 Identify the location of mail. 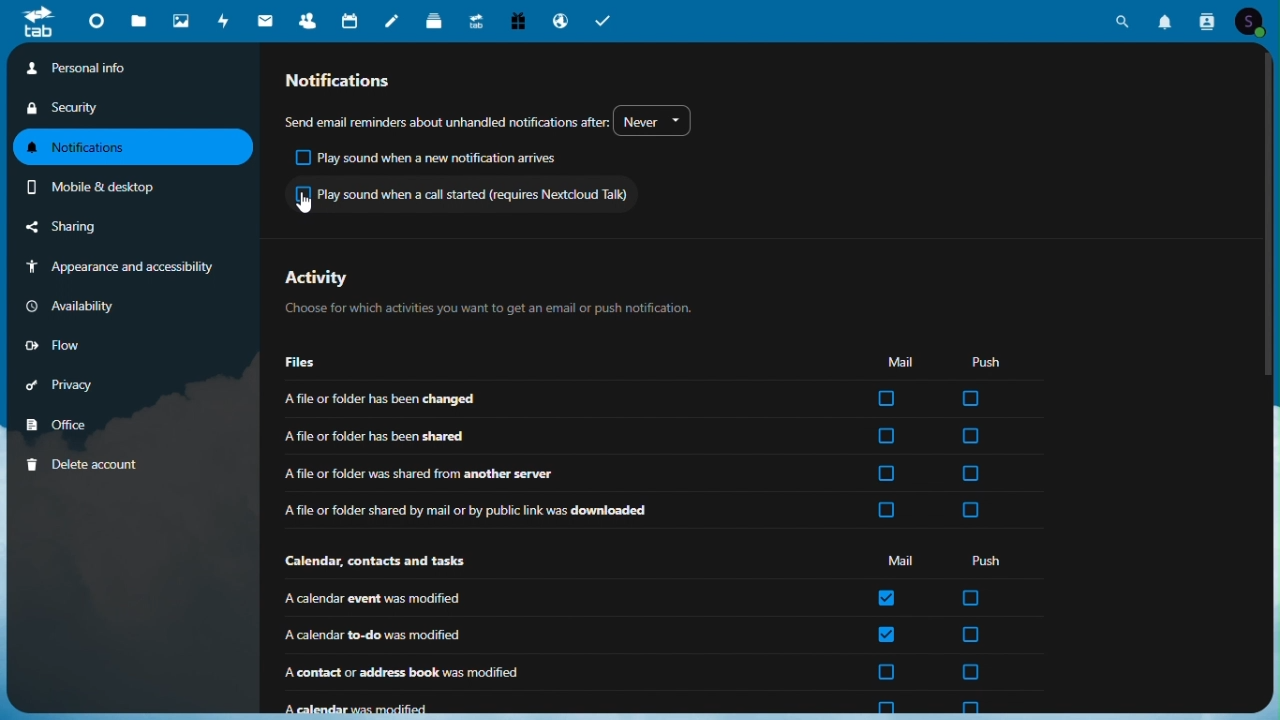
(266, 20).